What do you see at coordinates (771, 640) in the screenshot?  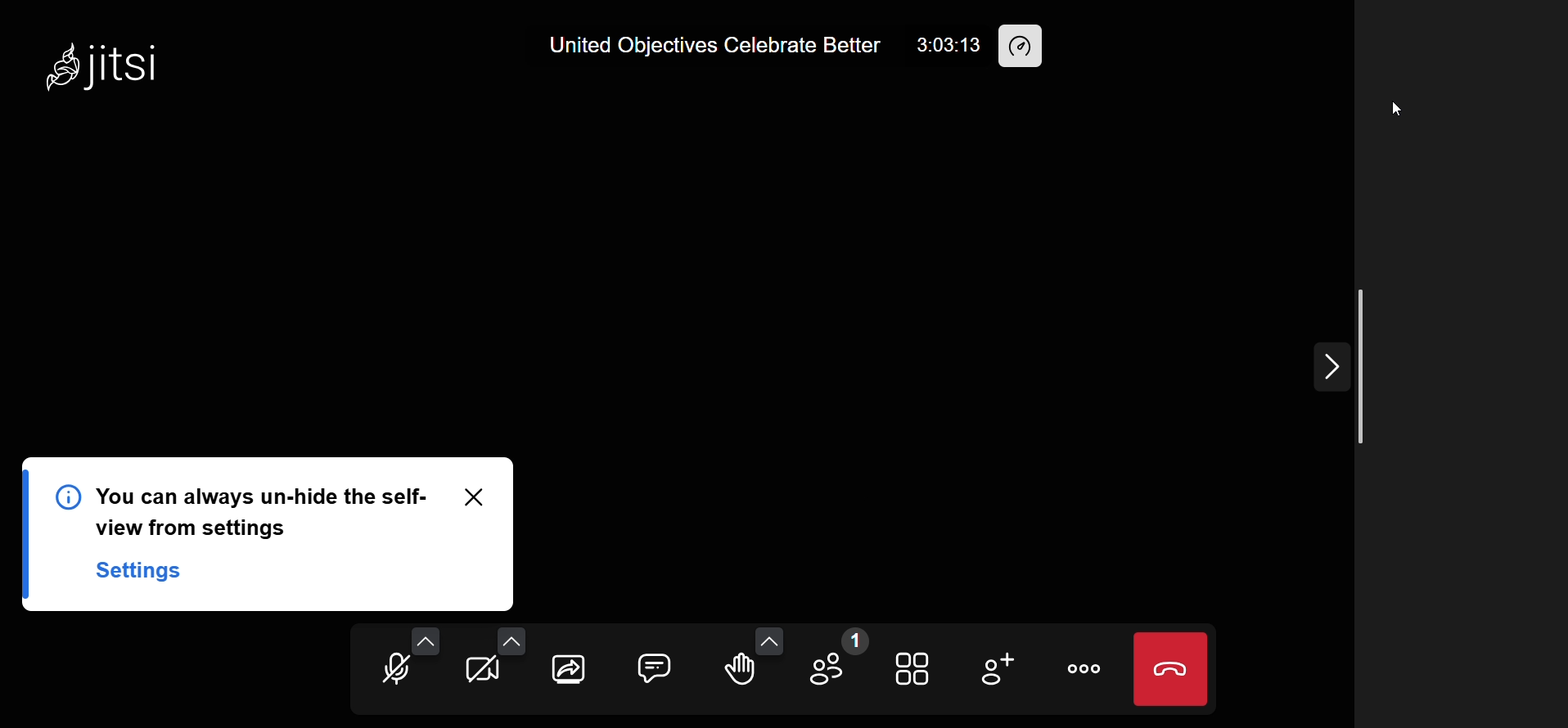 I see `more emoji` at bounding box center [771, 640].